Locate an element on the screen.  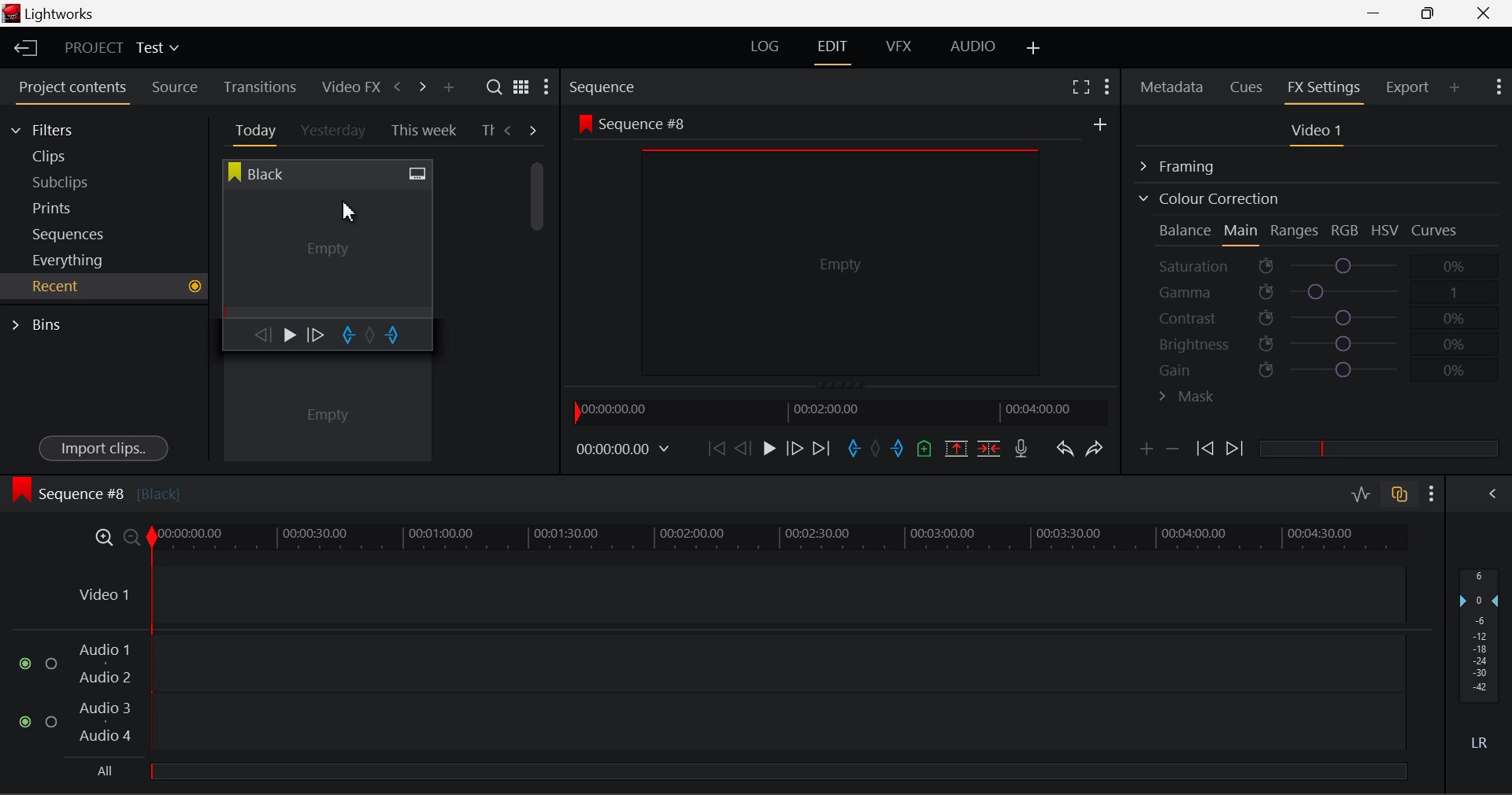
Export Panel is located at coordinates (1410, 87).